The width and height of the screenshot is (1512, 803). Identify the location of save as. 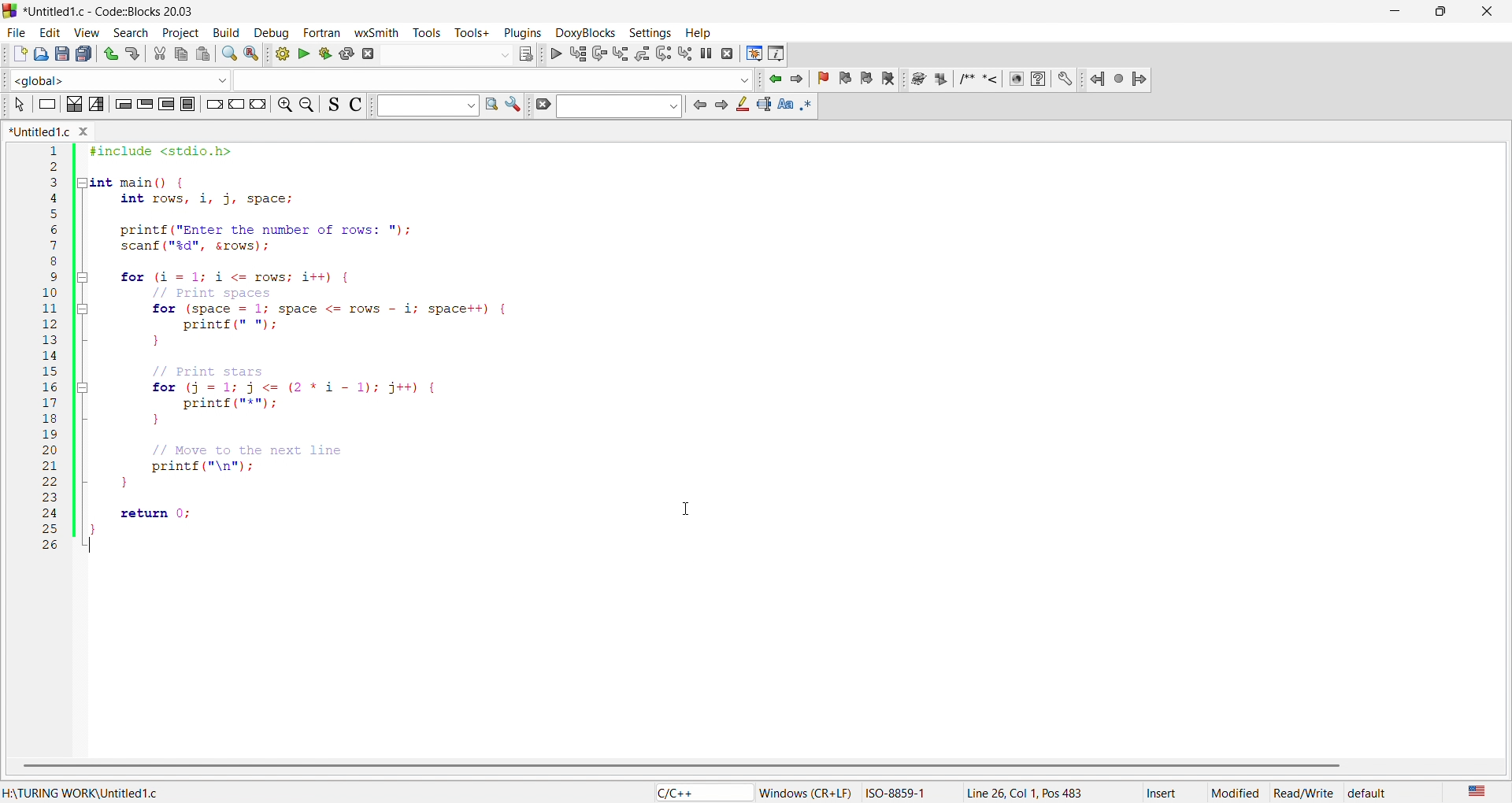
(58, 54).